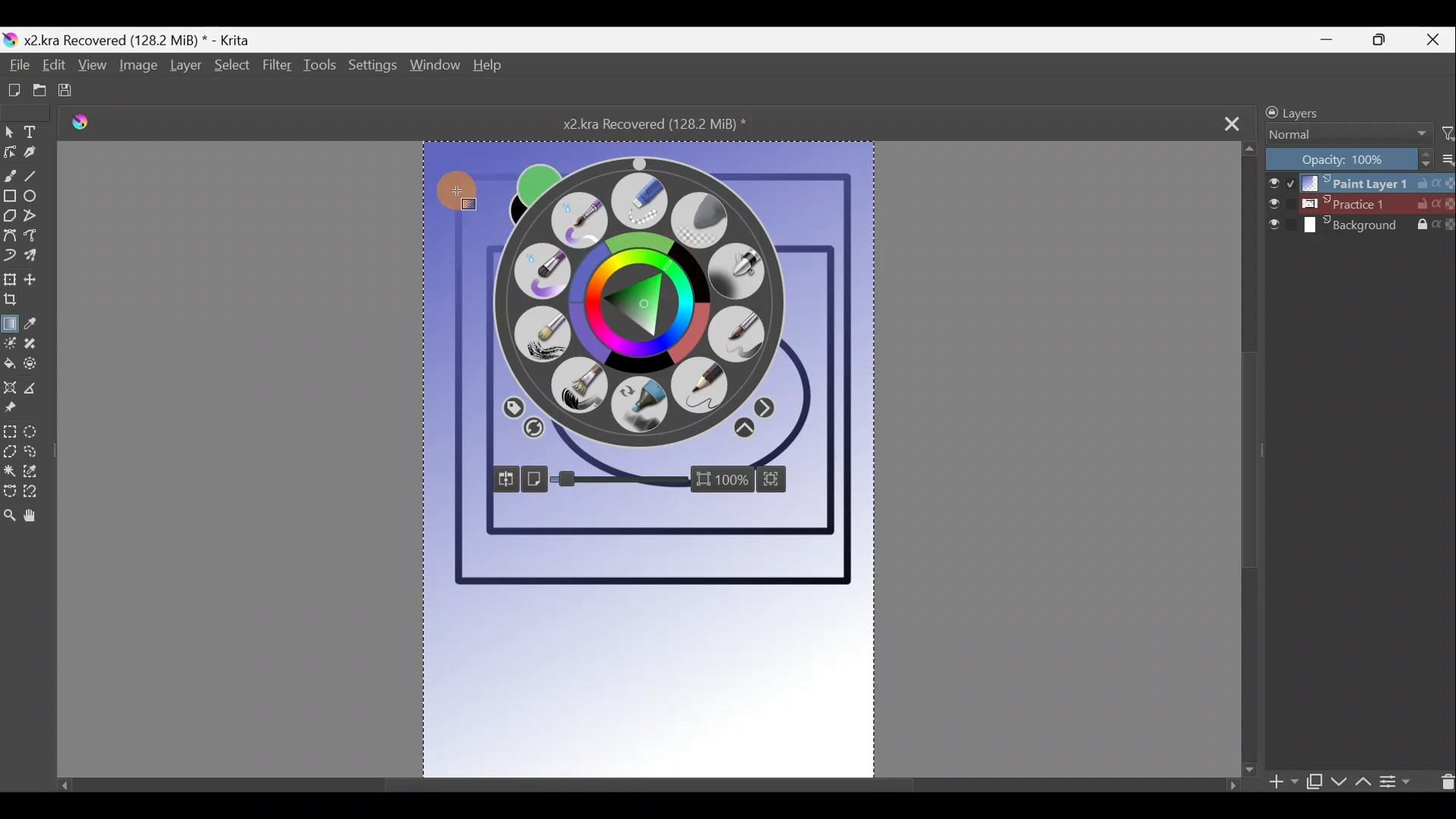 This screenshot has width=1456, height=819. Describe the element at coordinates (535, 272) in the screenshot. I see `Wet paint` at that location.